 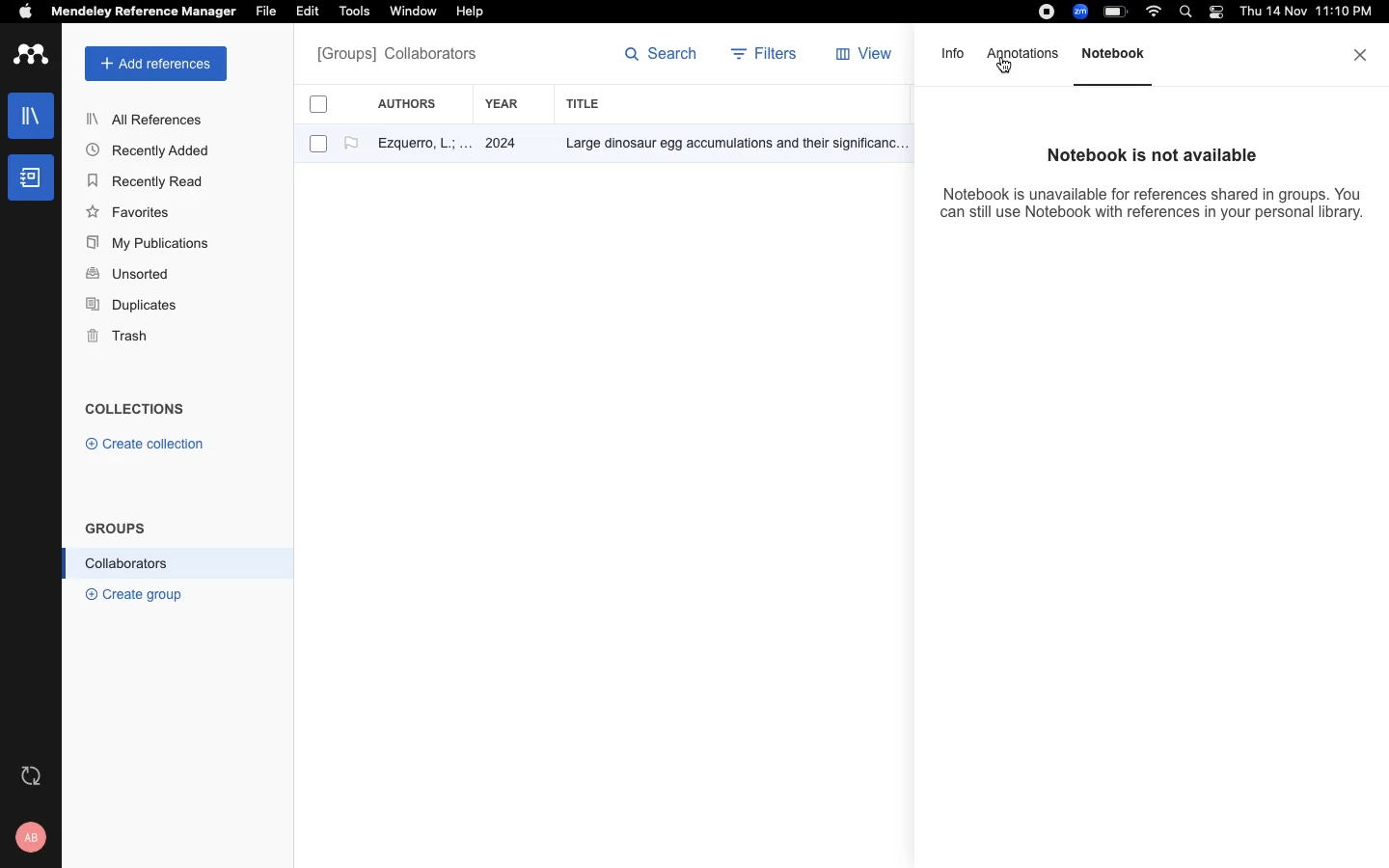 I want to click on Recently Read, so click(x=148, y=181).